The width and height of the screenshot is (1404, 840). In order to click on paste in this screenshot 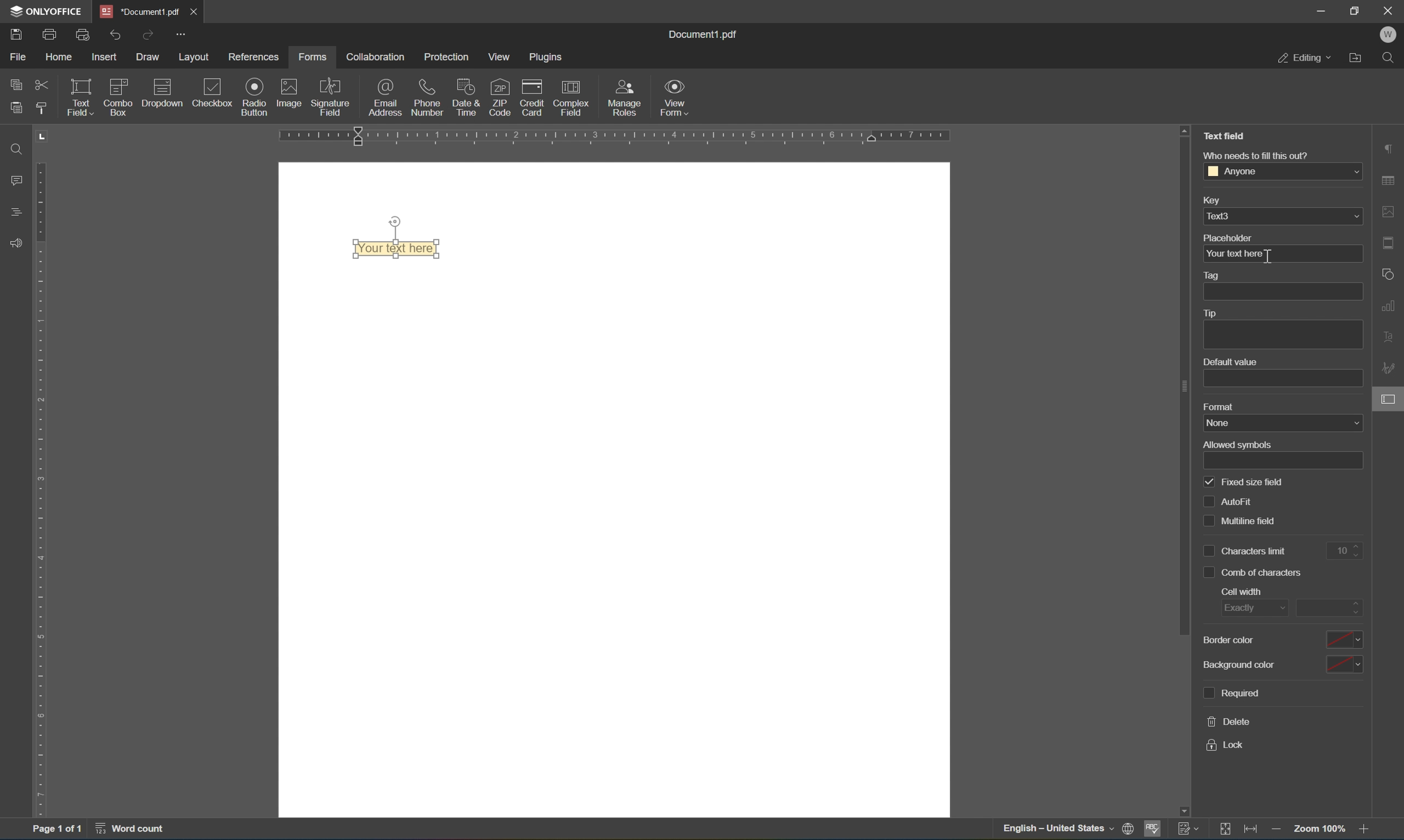, I will do `click(16, 109)`.